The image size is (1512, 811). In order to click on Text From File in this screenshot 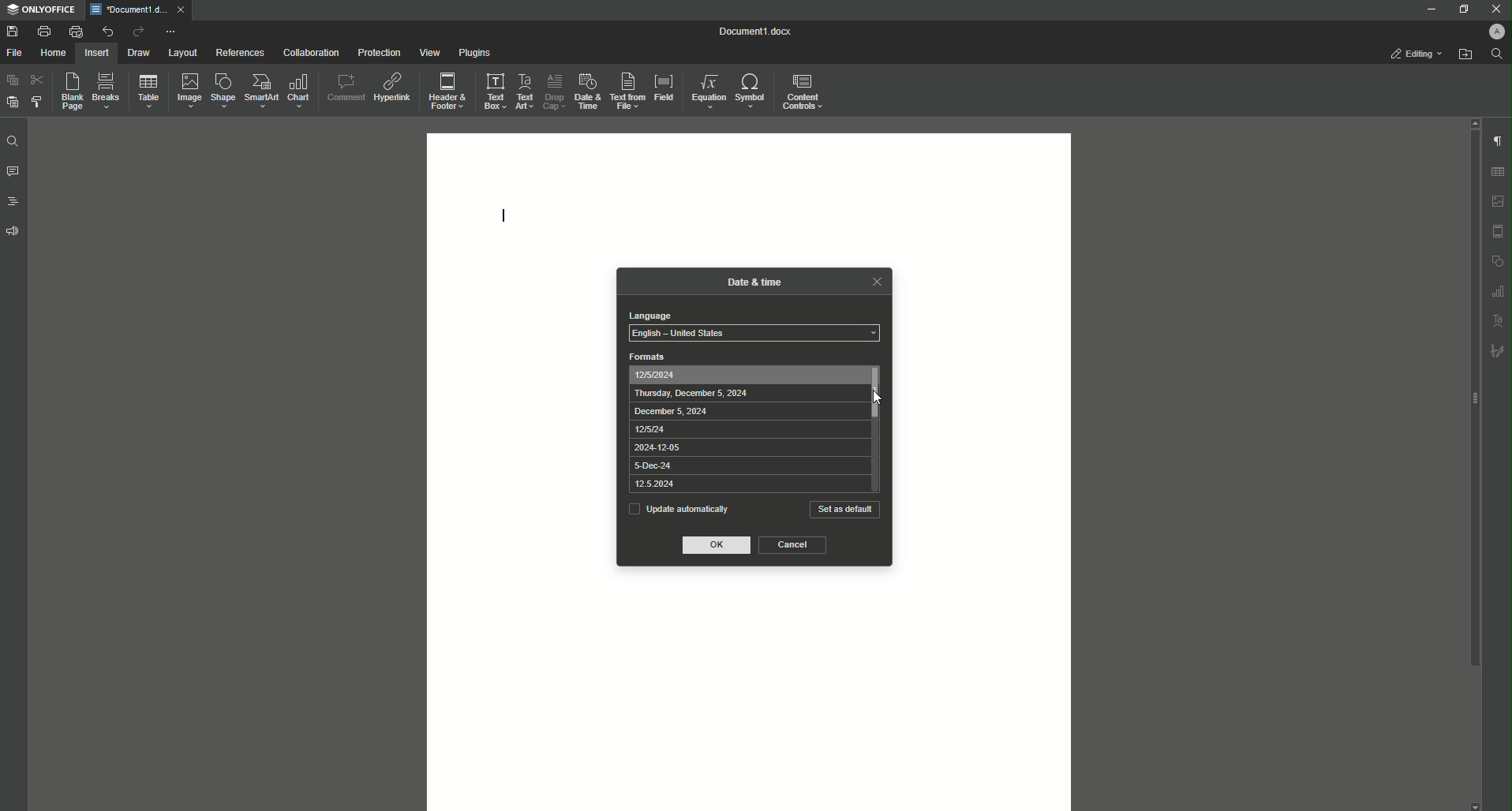, I will do `click(628, 92)`.